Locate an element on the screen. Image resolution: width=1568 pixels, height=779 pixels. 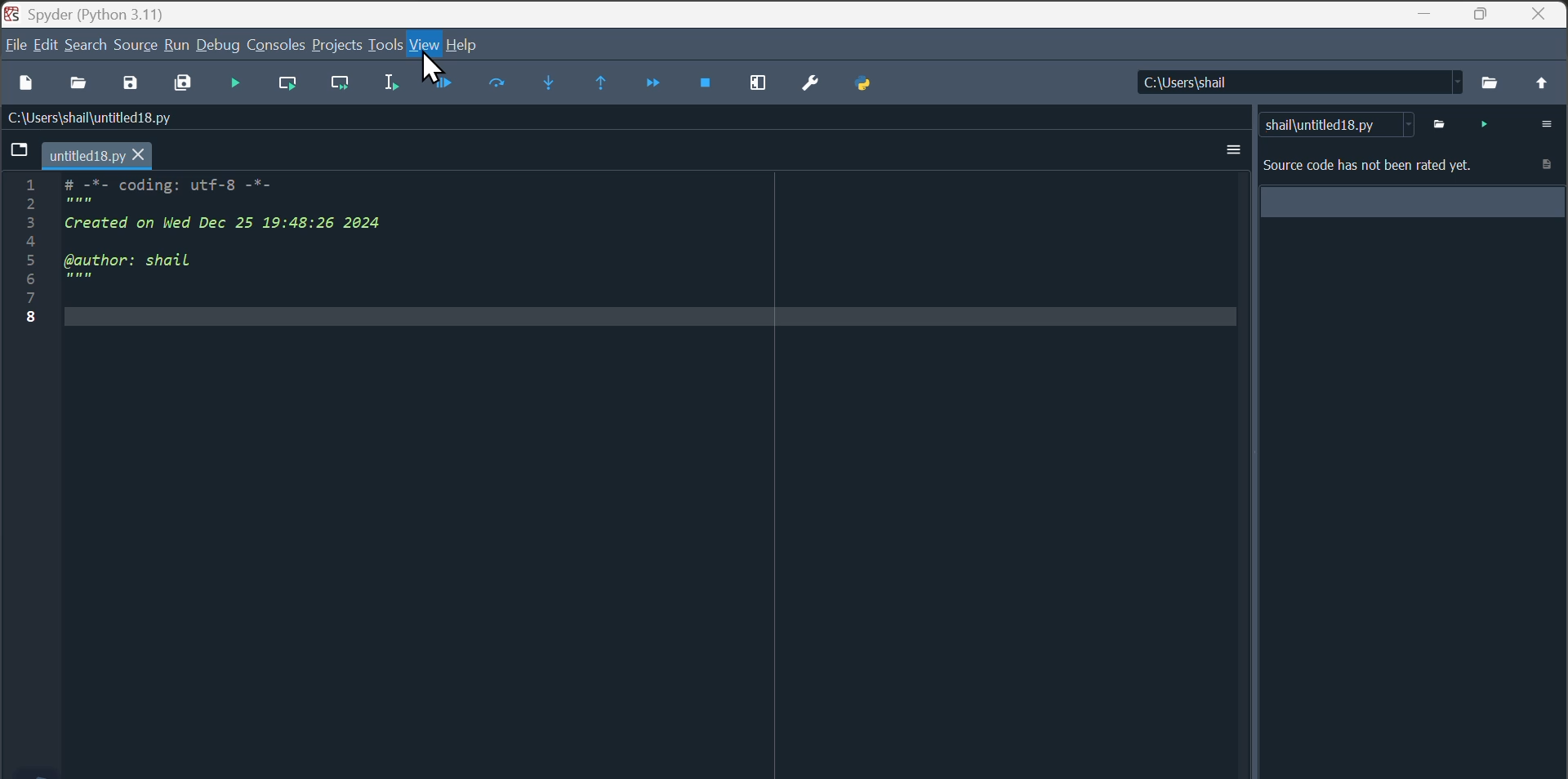
Stop Debugging is located at coordinates (710, 87).